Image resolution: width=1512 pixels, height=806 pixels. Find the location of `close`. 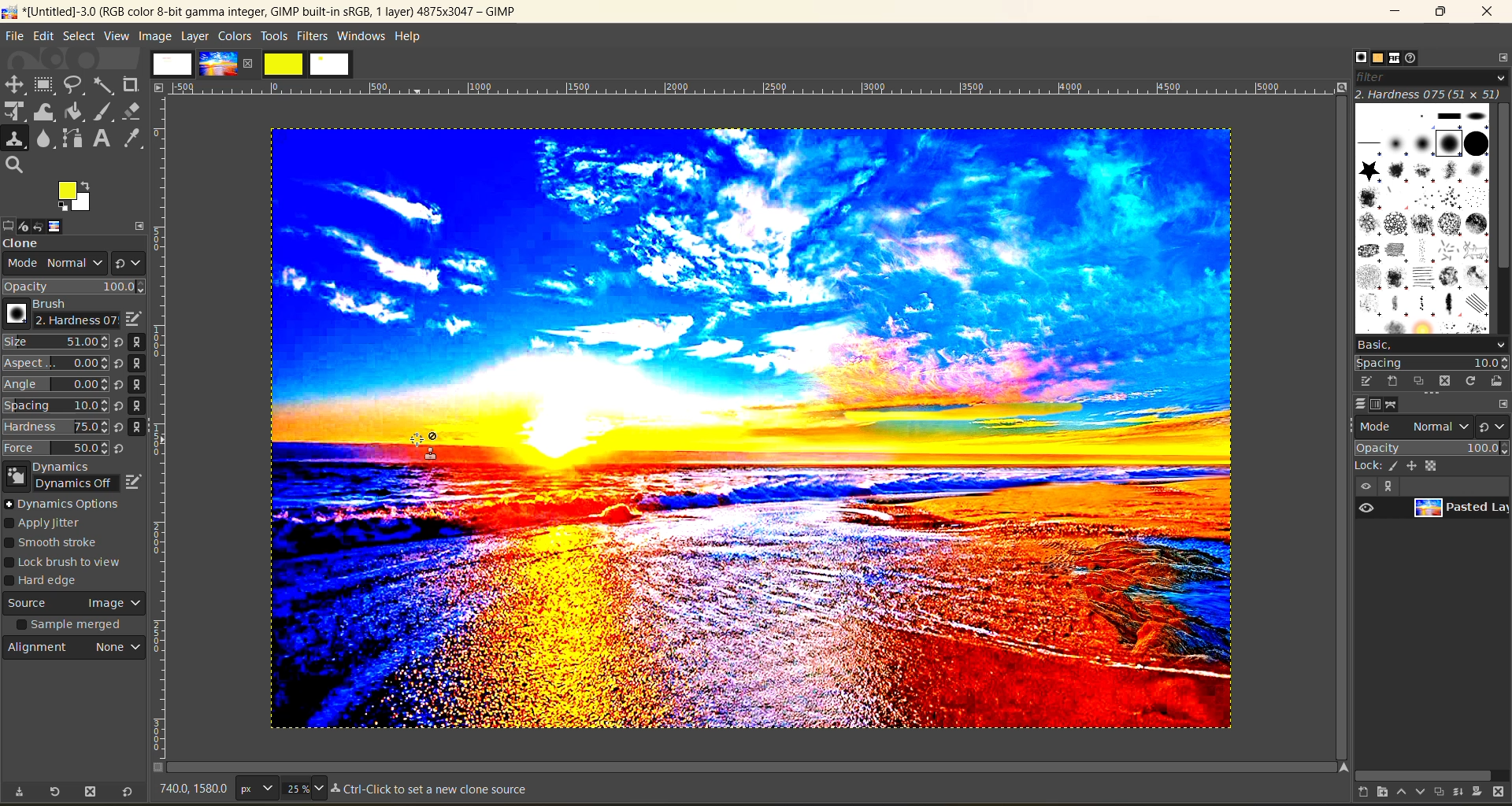

close is located at coordinates (251, 63).